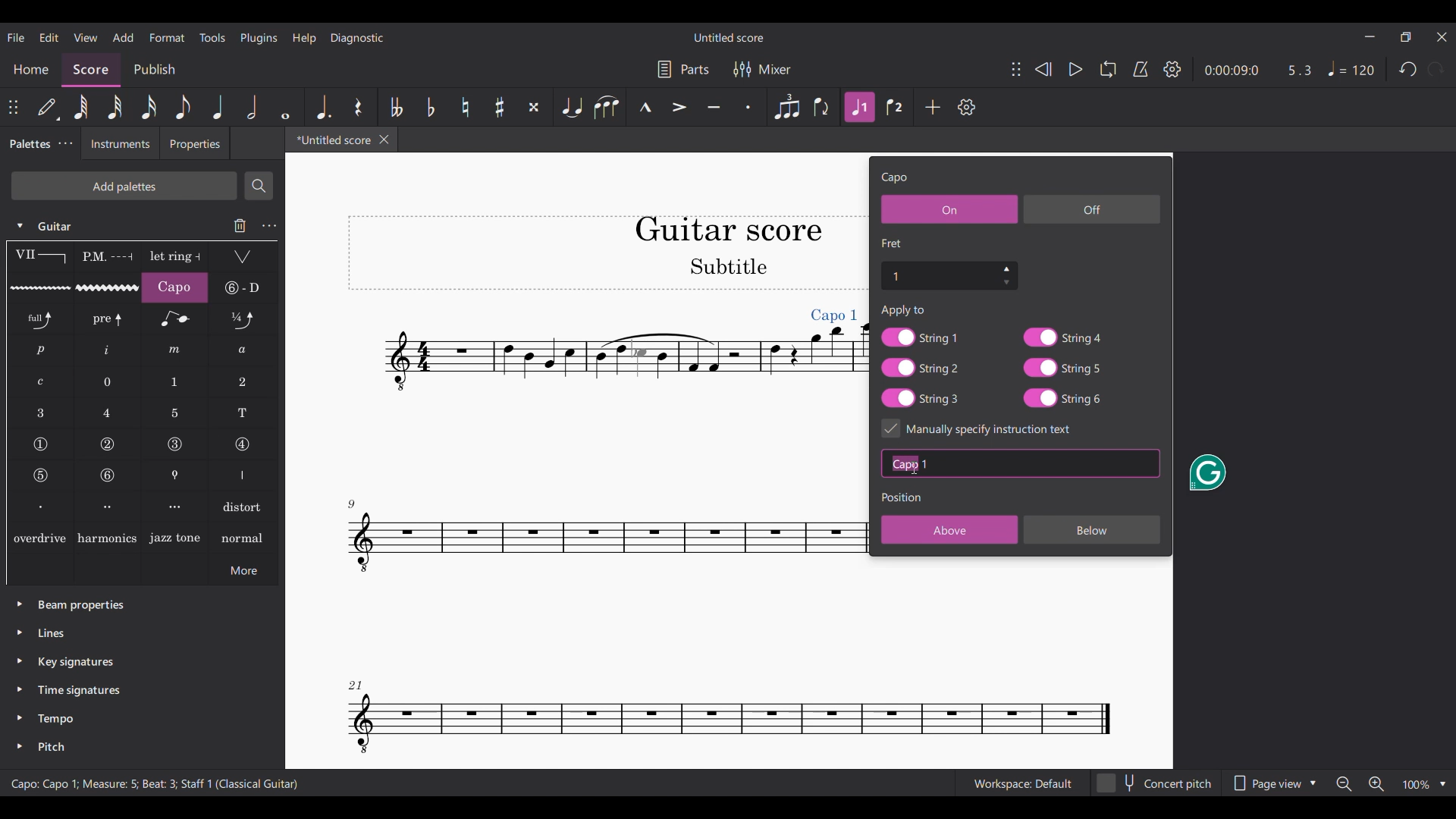  I want to click on Pitch, so click(50, 747).